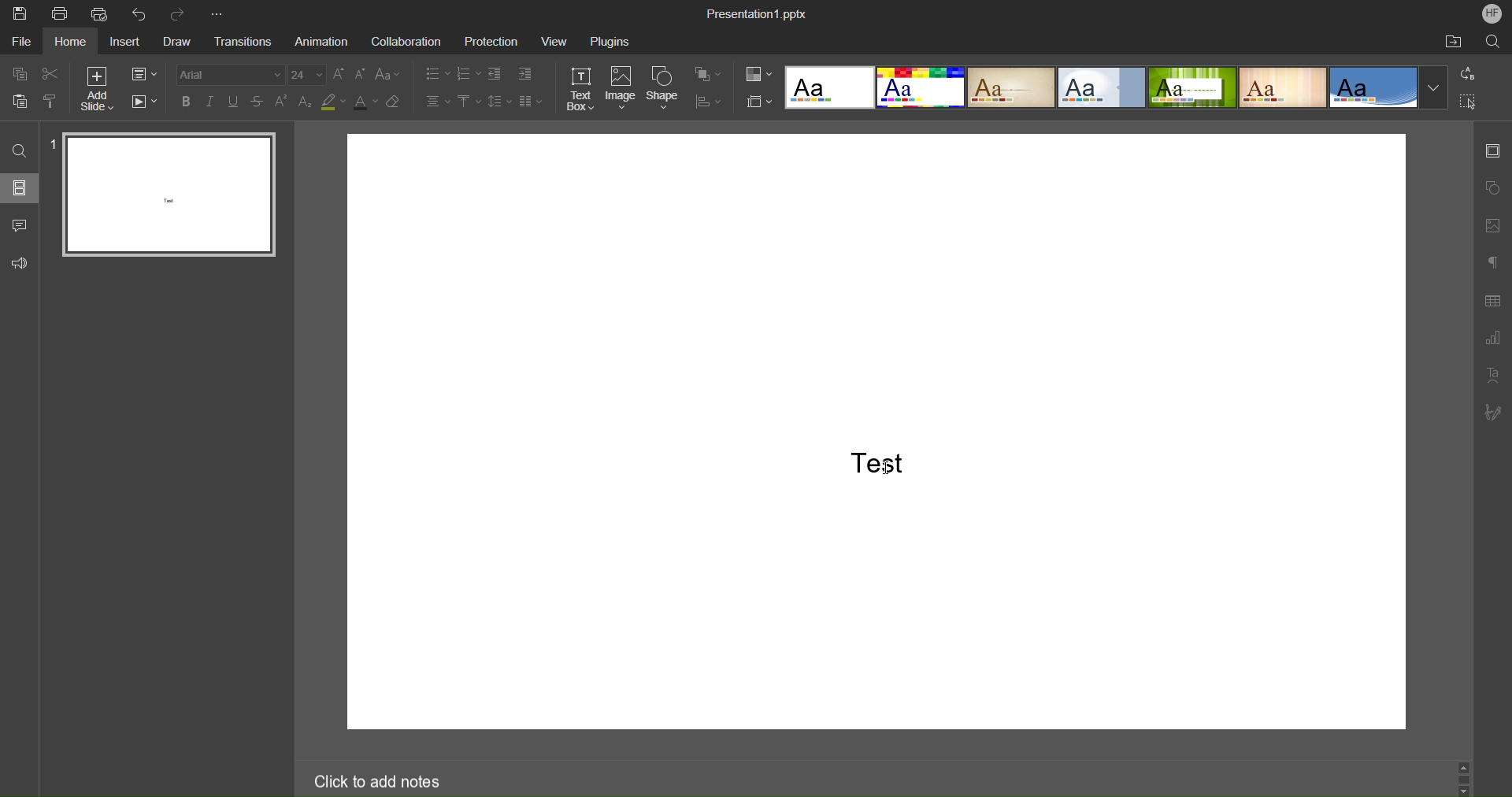  What do you see at coordinates (1493, 339) in the screenshot?
I see `Graph Settings` at bounding box center [1493, 339].